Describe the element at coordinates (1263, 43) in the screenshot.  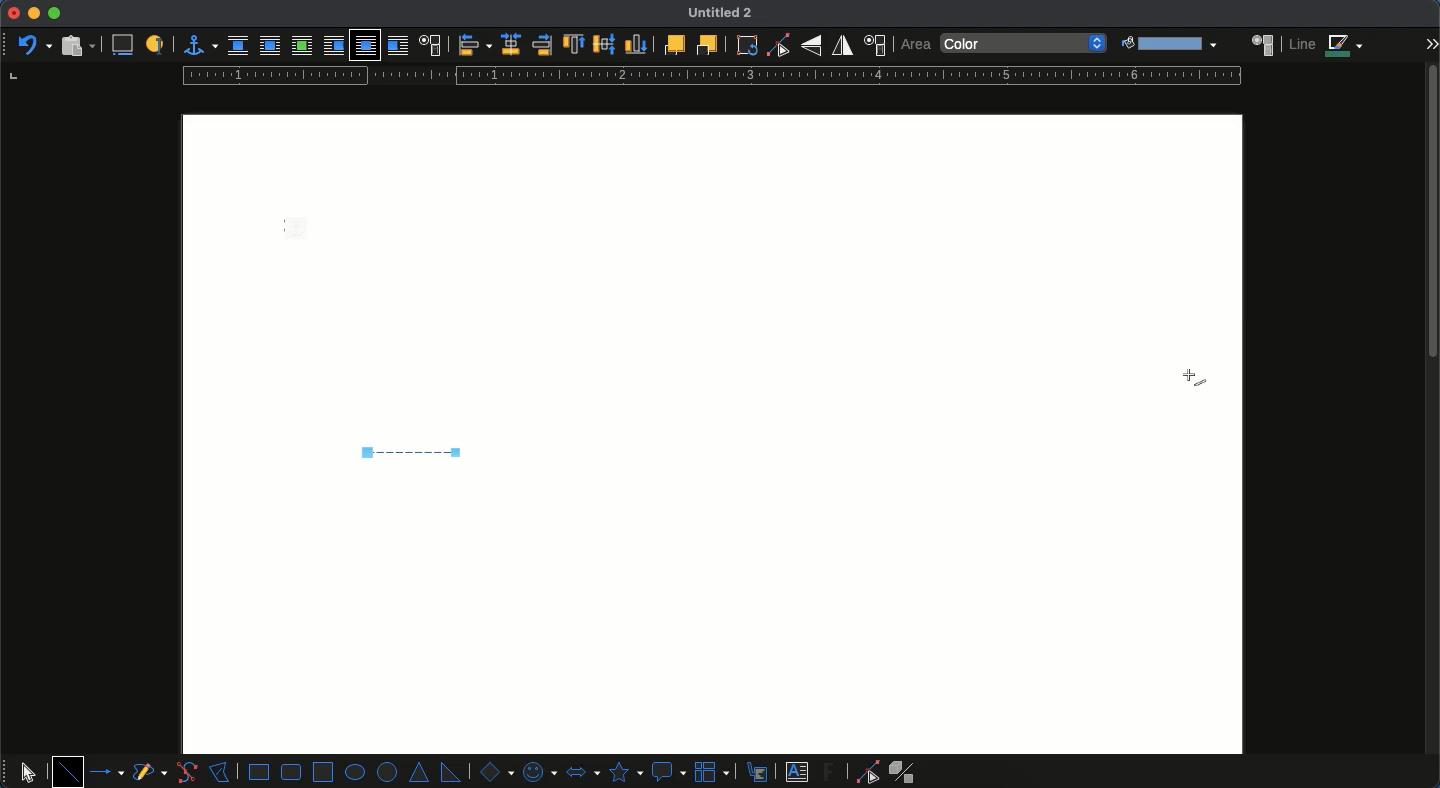
I see `area` at that location.